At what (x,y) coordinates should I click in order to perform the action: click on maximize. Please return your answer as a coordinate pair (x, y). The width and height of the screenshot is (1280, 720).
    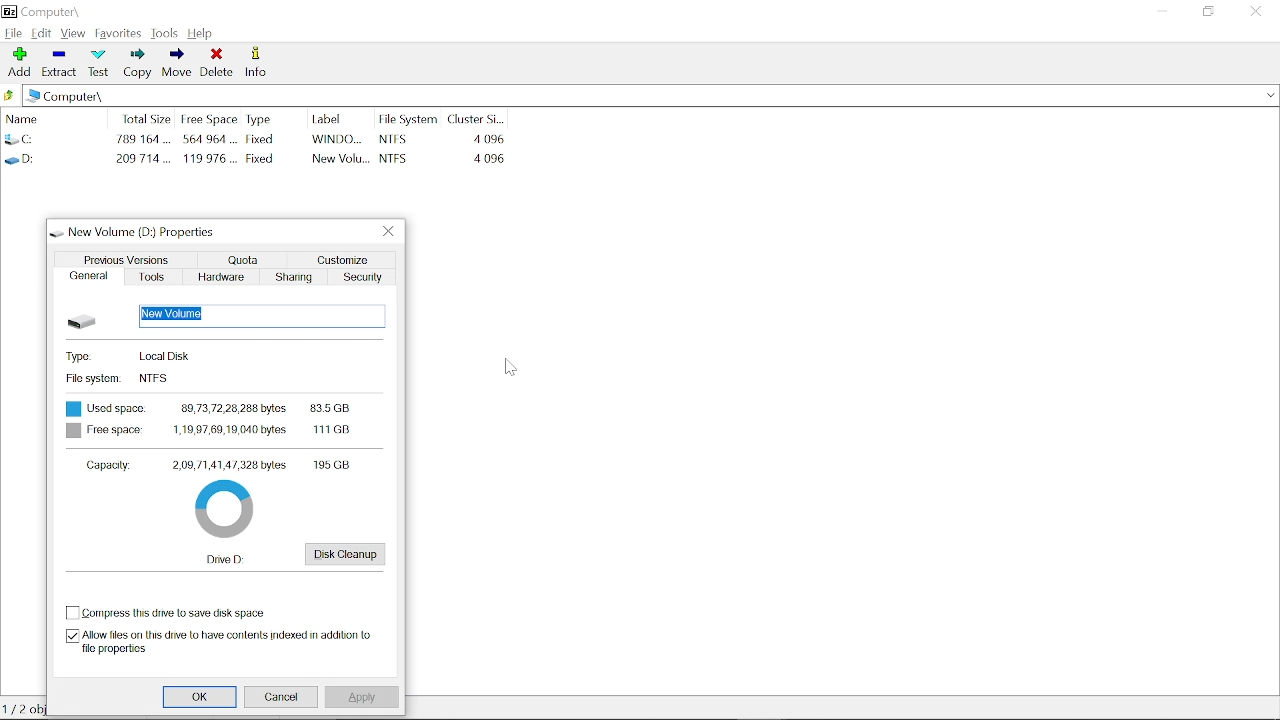
    Looking at the image, I should click on (1206, 14).